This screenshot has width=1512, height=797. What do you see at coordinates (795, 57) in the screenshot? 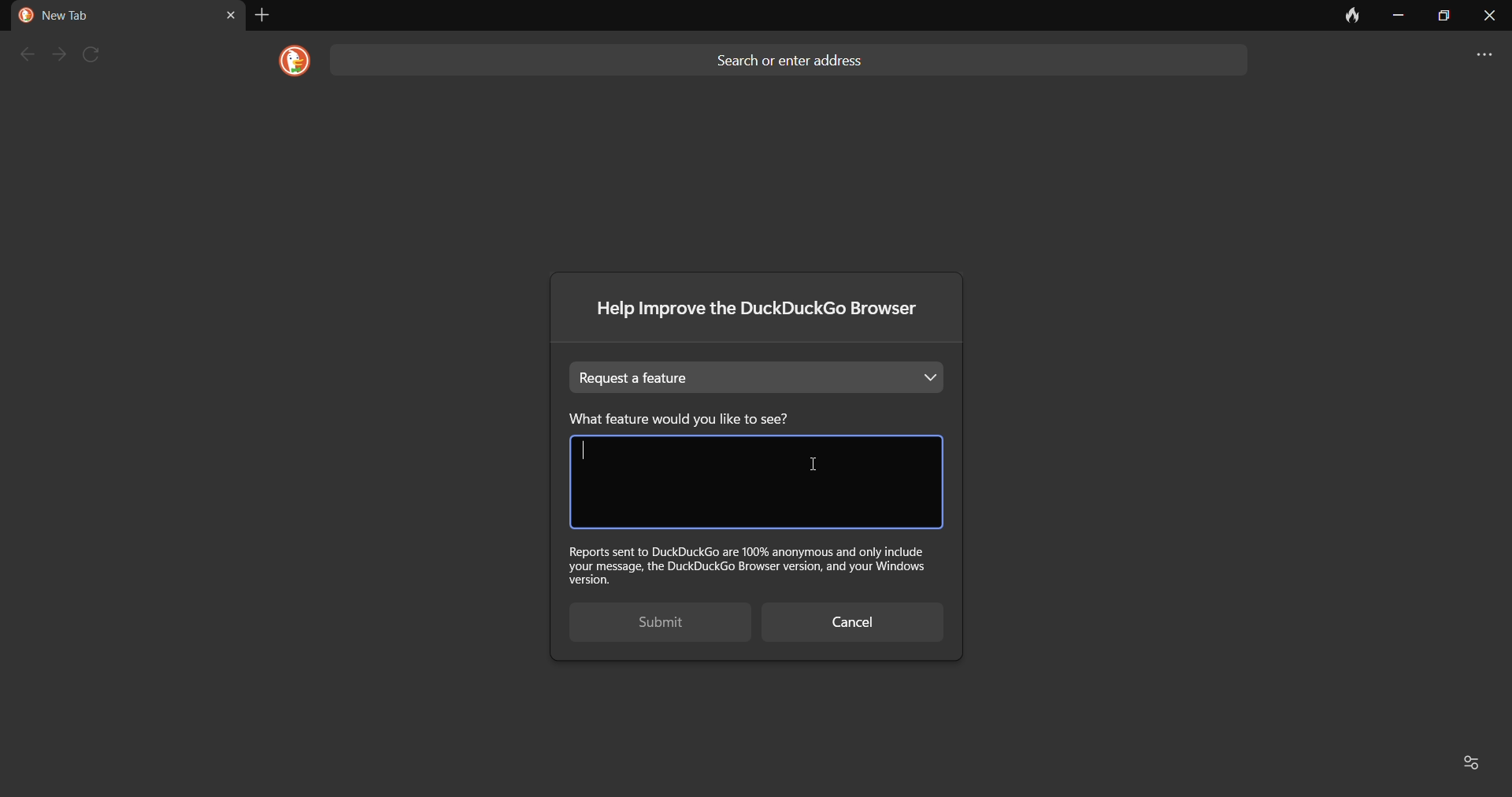
I see `Search or enter address` at bounding box center [795, 57].